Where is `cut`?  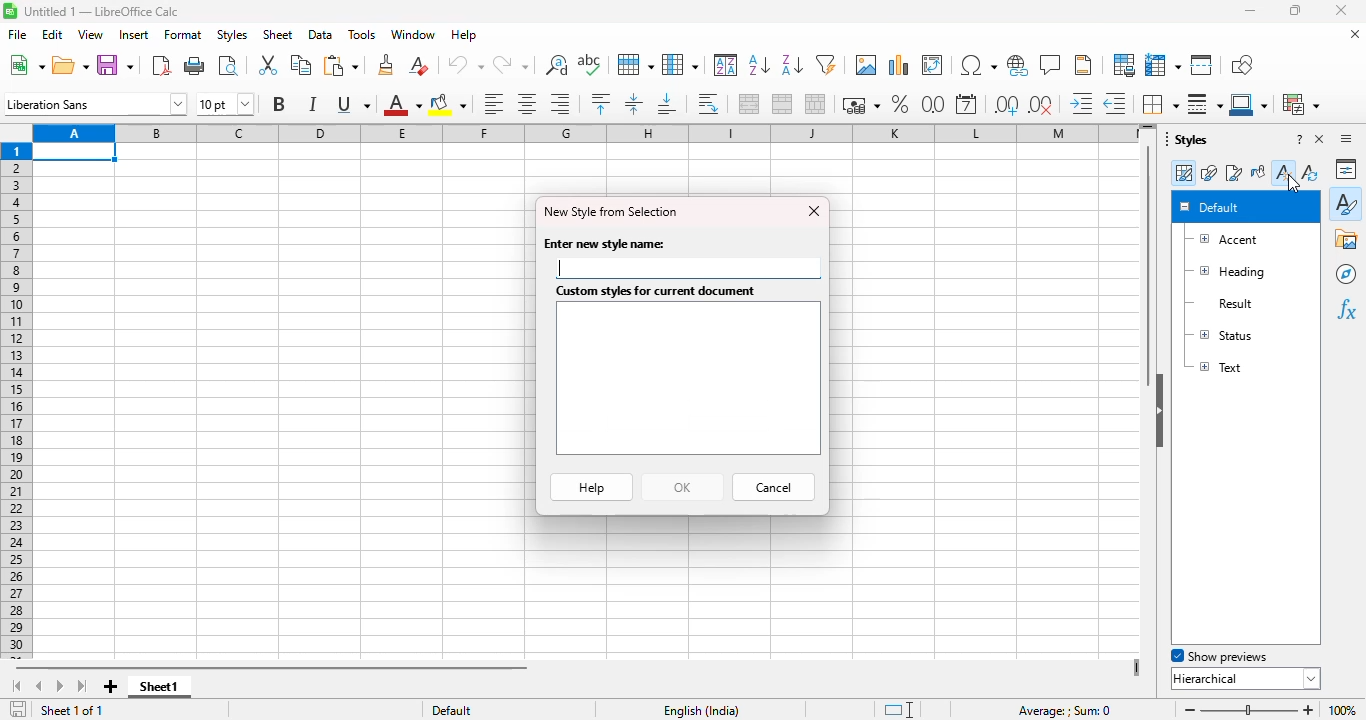 cut is located at coordinates (267, 65).